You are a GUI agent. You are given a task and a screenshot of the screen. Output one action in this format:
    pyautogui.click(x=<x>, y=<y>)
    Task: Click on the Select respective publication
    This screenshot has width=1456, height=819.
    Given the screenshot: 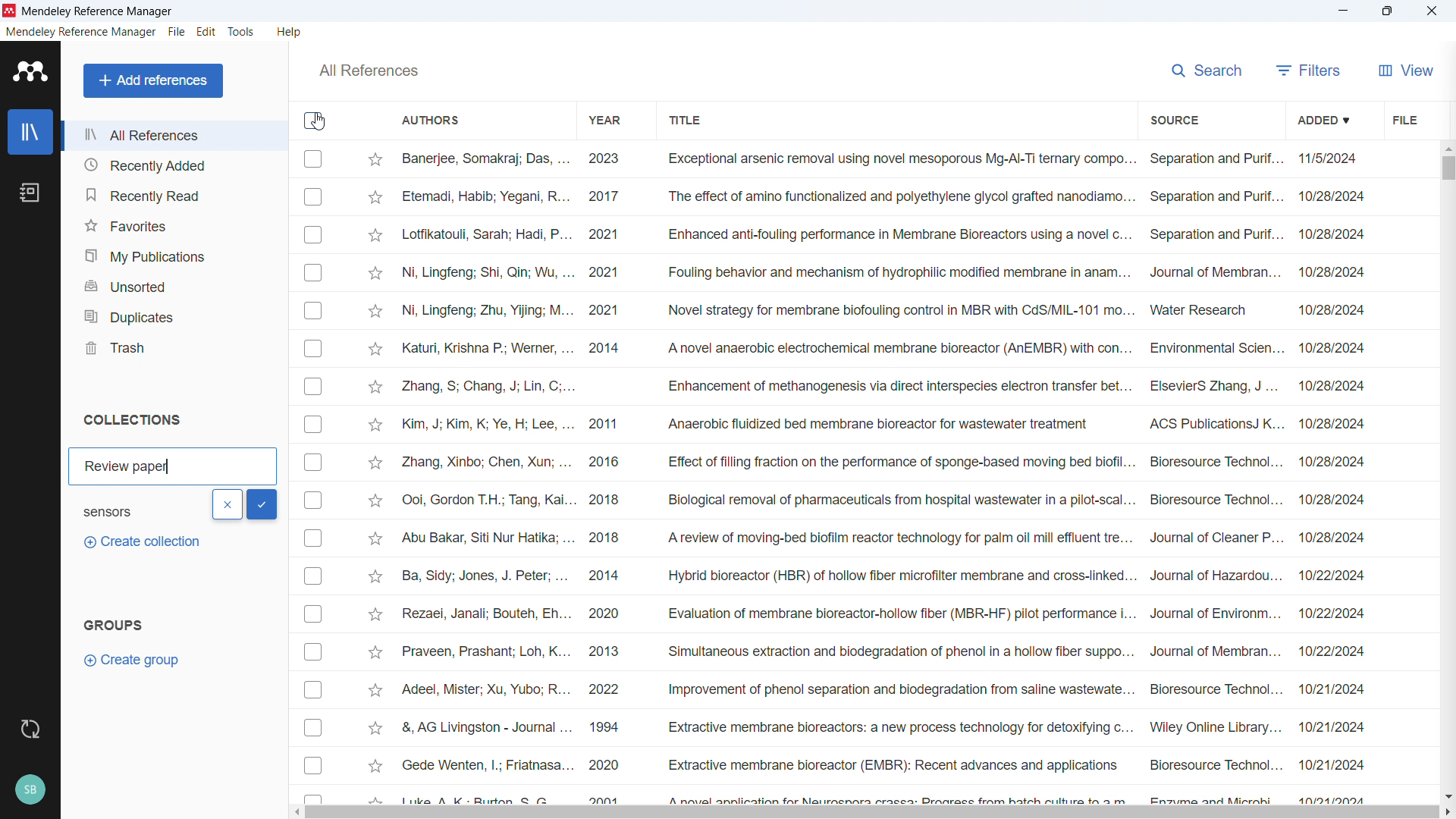 What is the action you would take?
    pyautogui.click(x=313, y=614)
    